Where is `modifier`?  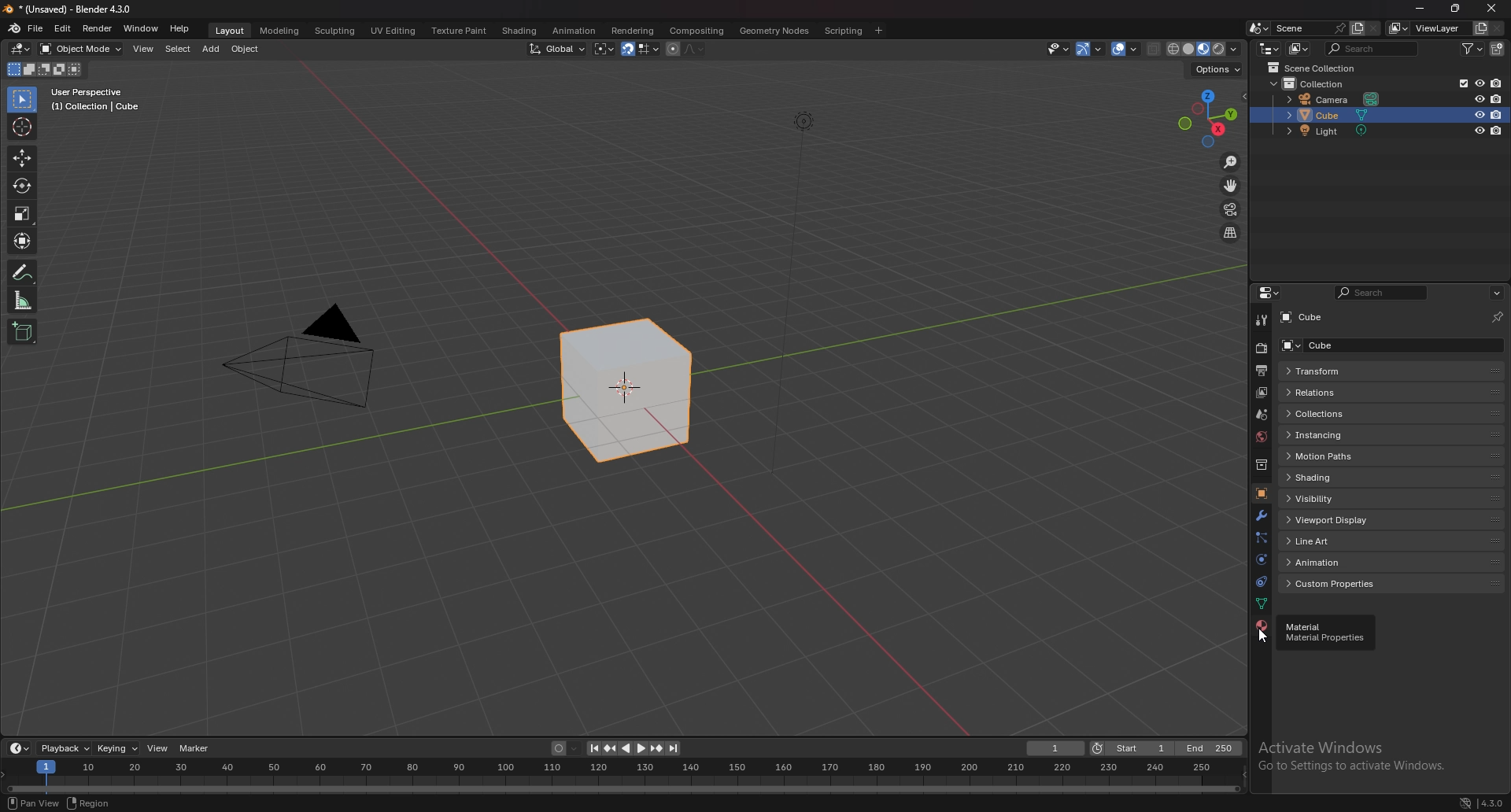 modifier is located at coordinates (1261, 515).